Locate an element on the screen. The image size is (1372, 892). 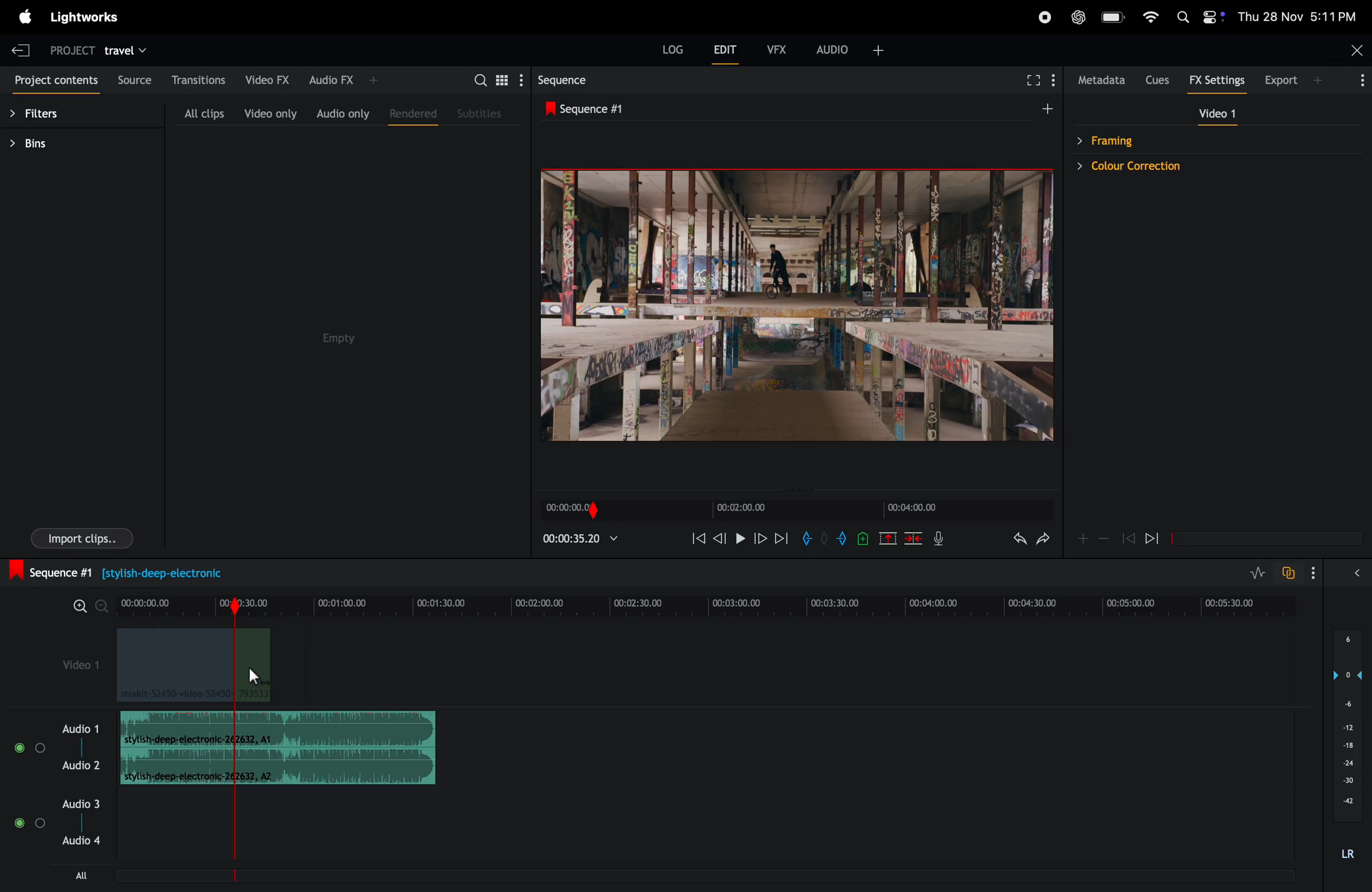
time frames is located at coordinates (793, 510).